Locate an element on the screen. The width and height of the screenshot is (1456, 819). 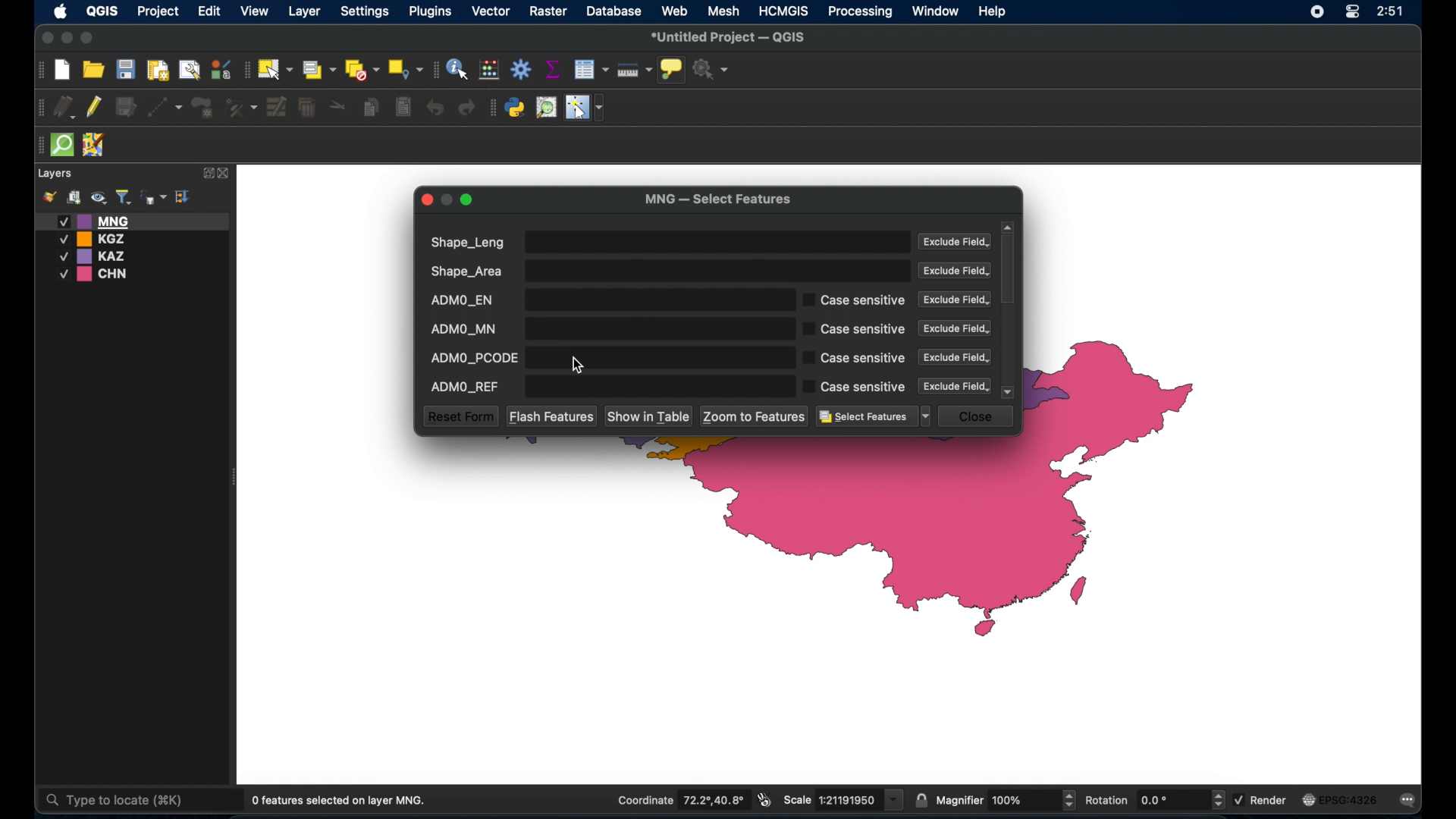
apple icon is located at coordinates (61, 13).